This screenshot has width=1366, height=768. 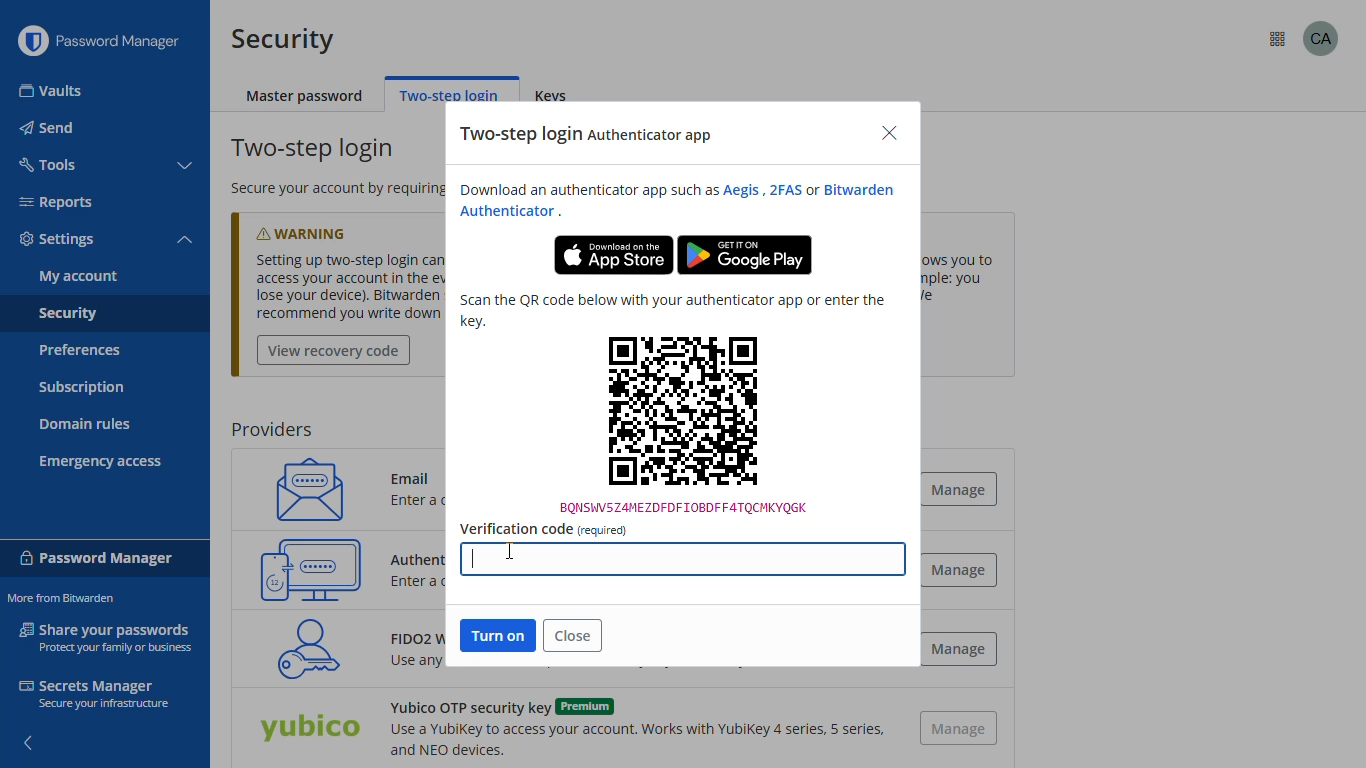 What do you see at coordinates (1321, 38) in the screenshot?
I see `profile` at bounding box center [1321, 38].